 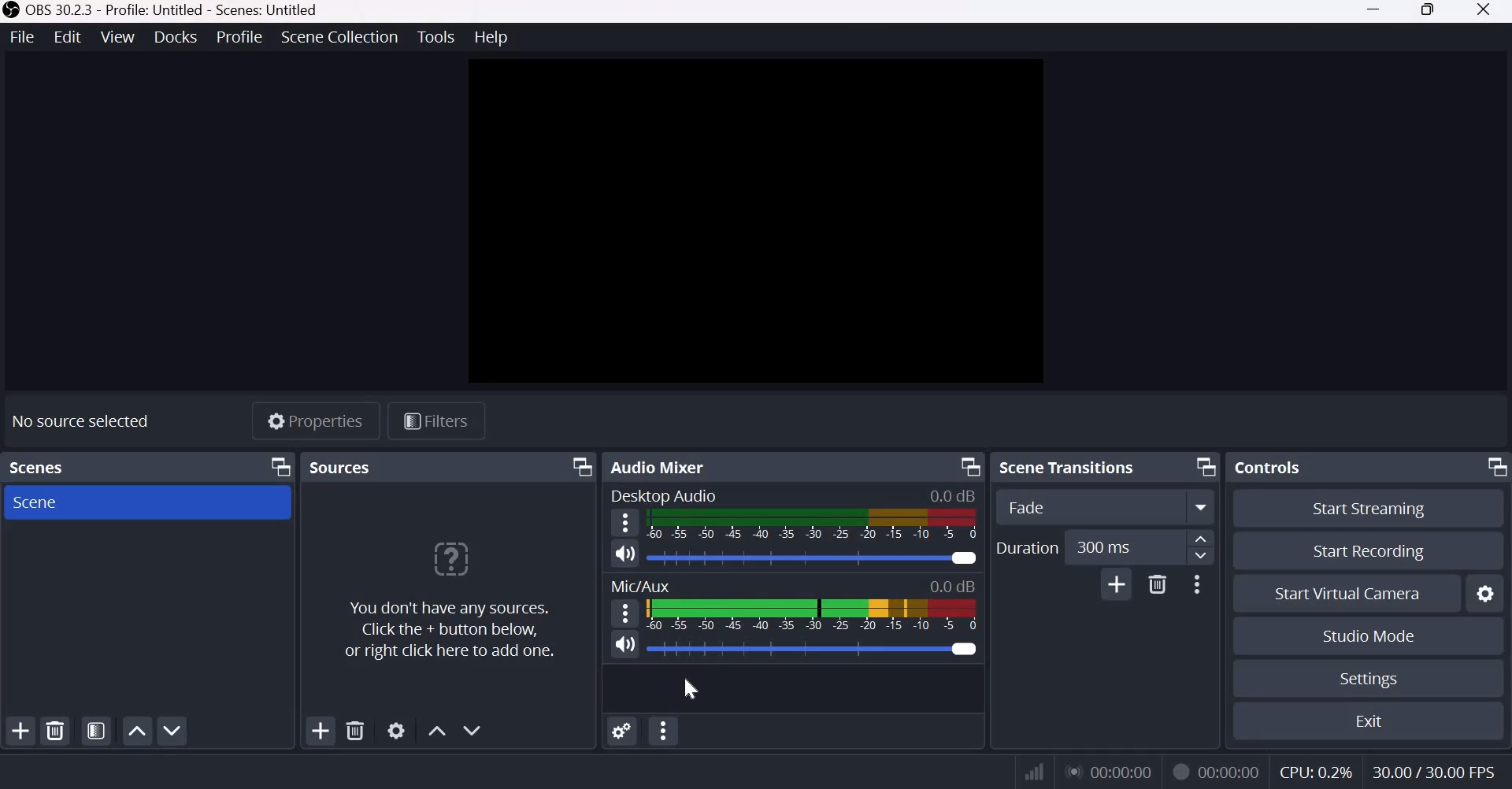 What do you see at coordinates (54, 731) in the screenshot?
I see `Remove selected scene` at bounding box center [54, 731].